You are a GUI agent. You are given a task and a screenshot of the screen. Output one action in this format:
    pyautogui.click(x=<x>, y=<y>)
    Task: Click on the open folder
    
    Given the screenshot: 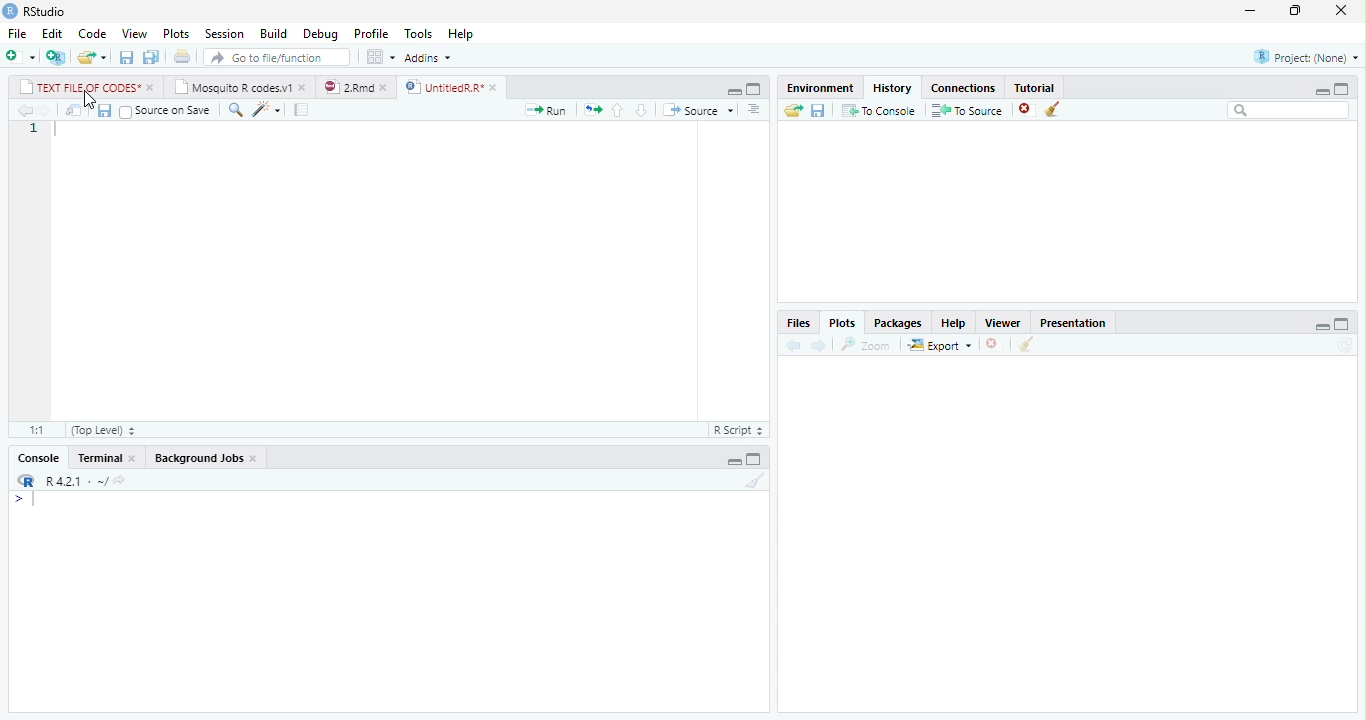 What is the action you would take?
    pyautogui.click(x=794, y=110)
    